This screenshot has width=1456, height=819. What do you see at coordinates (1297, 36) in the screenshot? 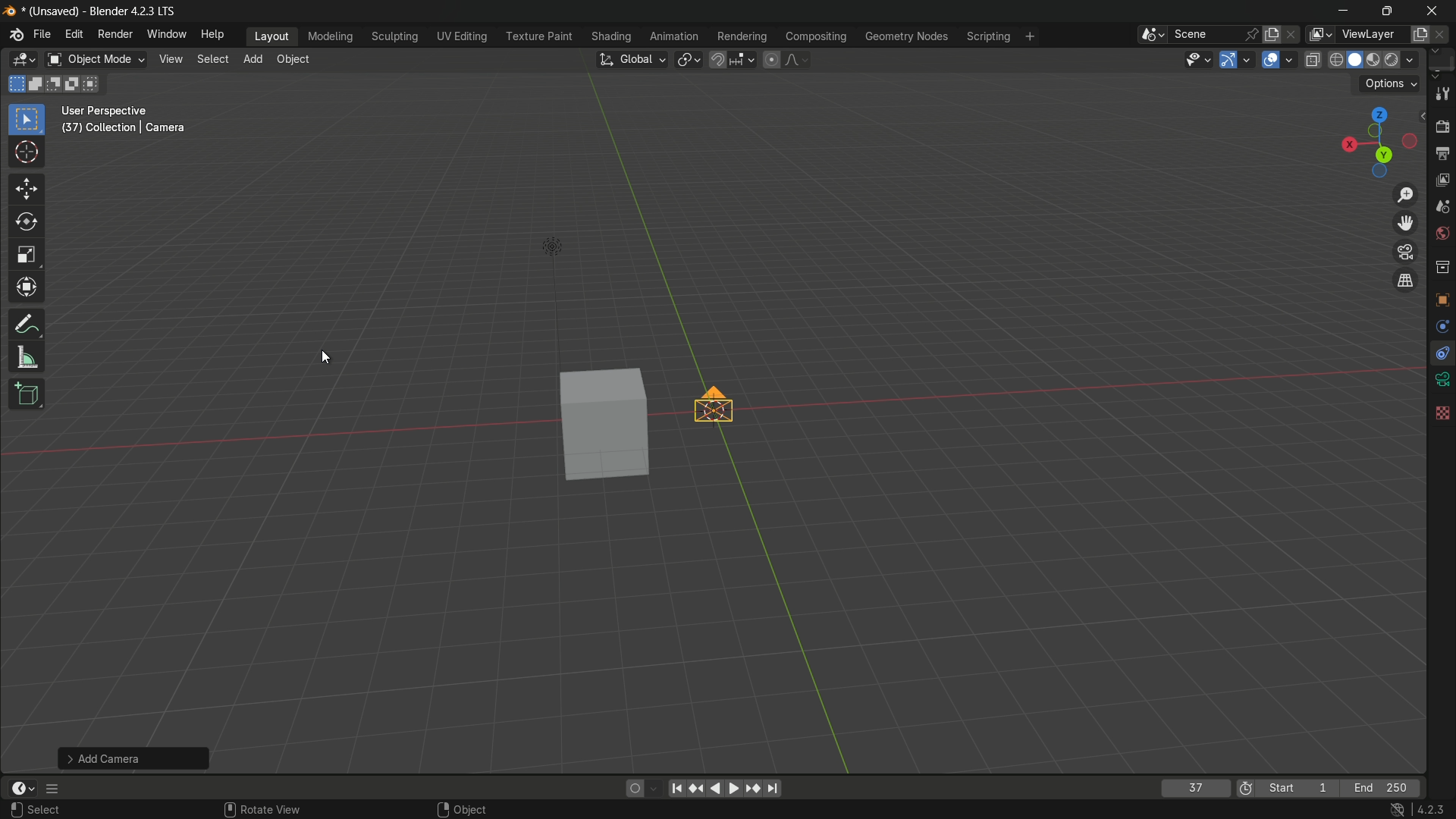
I see `delete scene` at bounding box center [1297, 36].